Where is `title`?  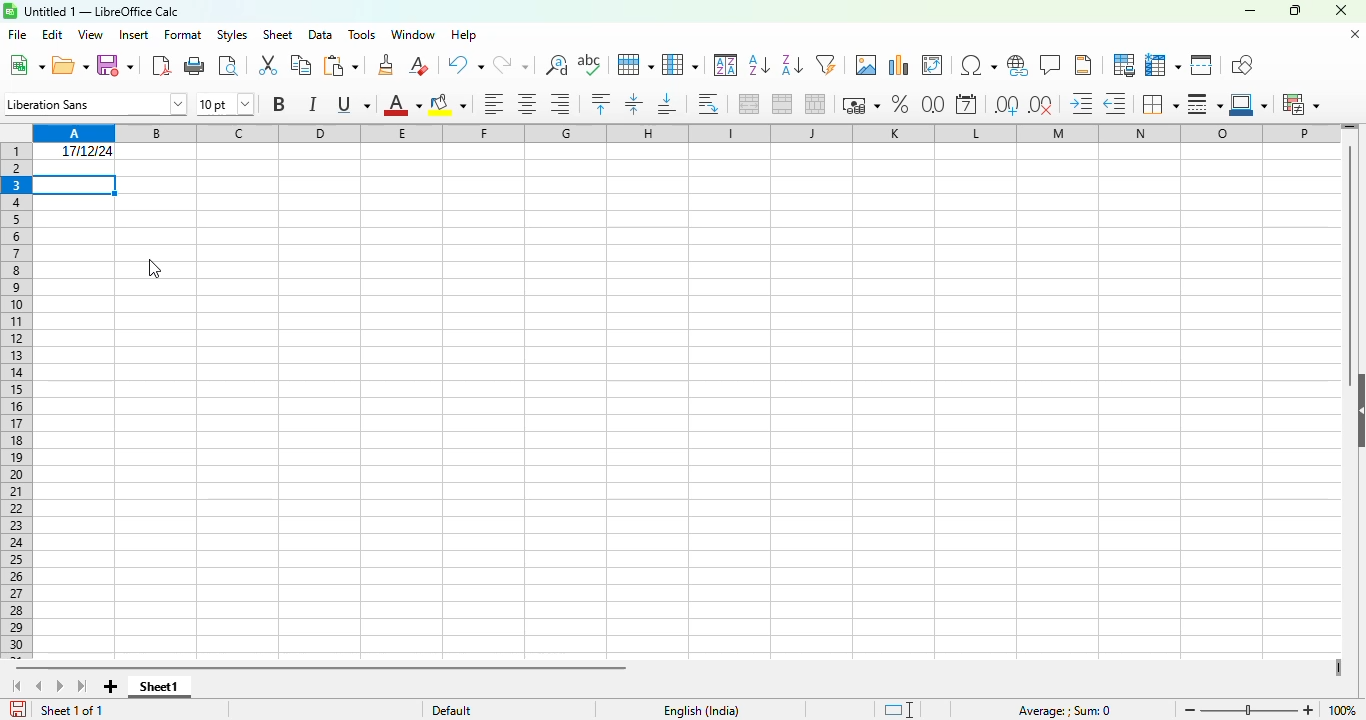
title is located at coordinates (102, 11).